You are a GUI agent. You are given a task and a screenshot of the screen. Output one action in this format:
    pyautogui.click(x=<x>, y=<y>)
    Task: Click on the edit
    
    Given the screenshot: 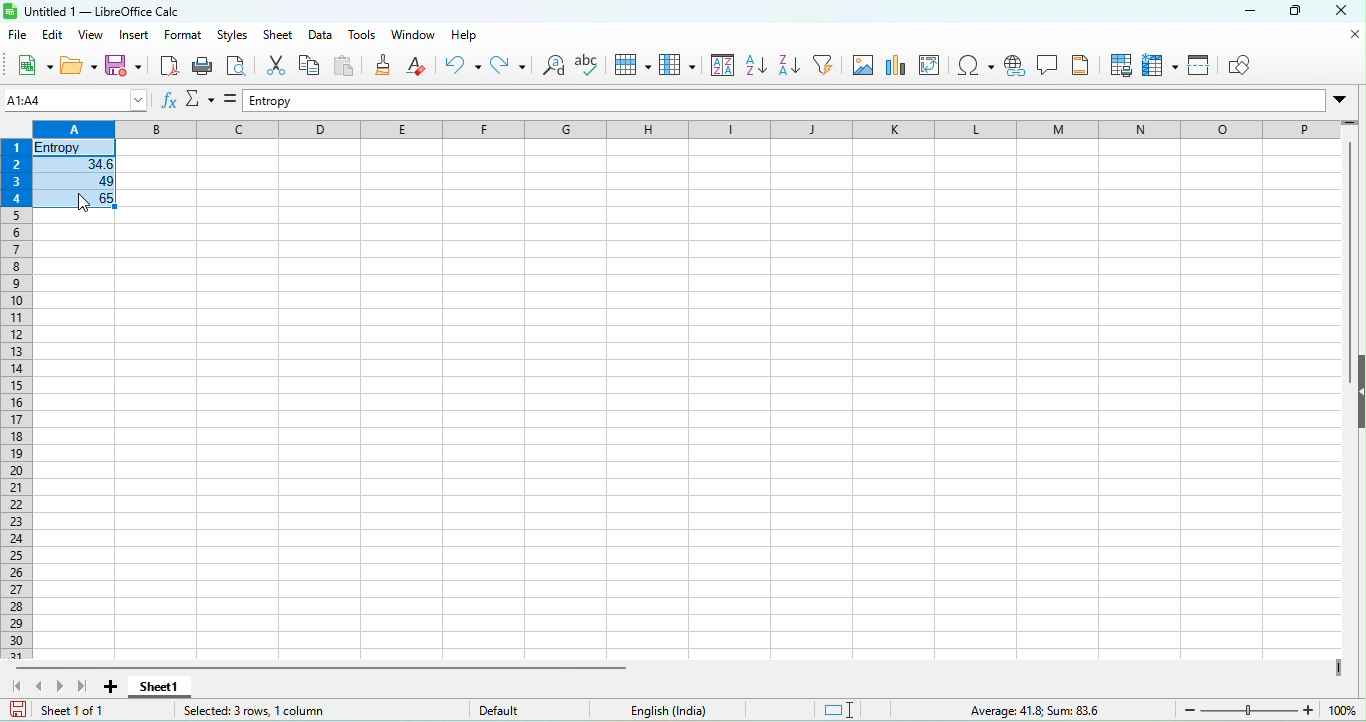 What is the action you would take?
    pyautogui.click(x=54, y=37)
    